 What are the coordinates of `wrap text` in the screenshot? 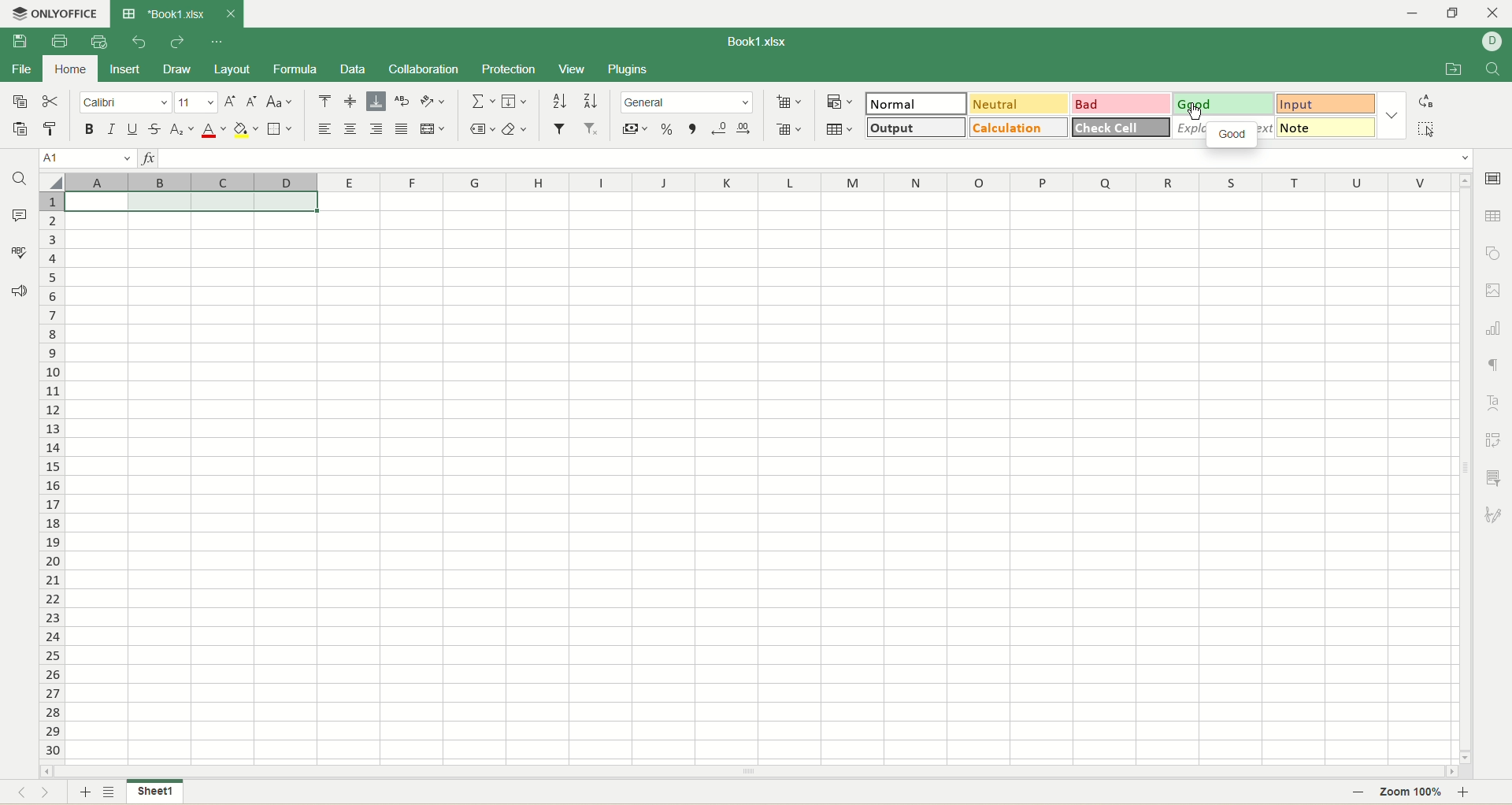 It's located at (401, 101).